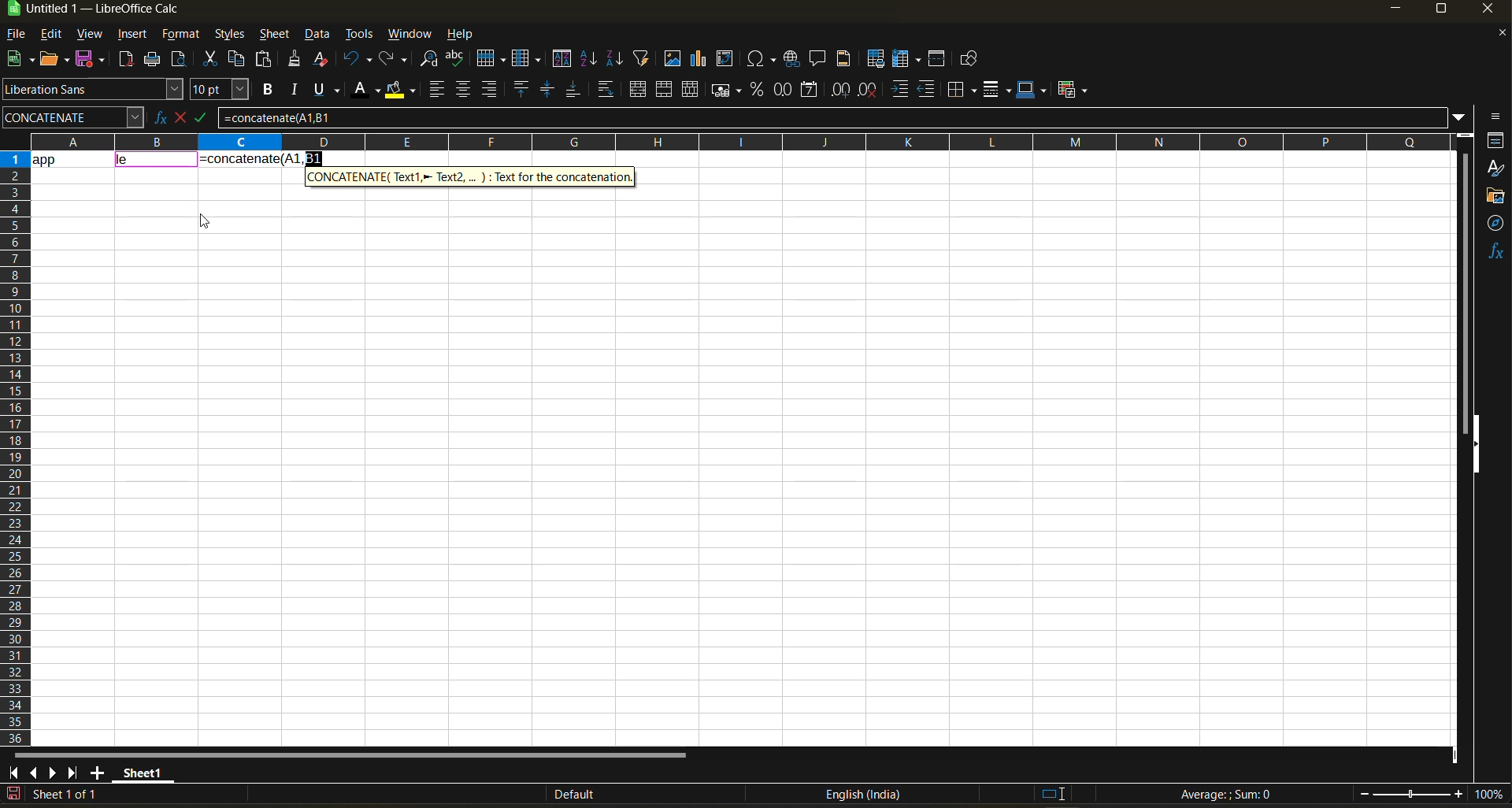  What do you see at coordinates (787, 91) in the screenshot?
I see `format as number` at bounding box center [787, 91].